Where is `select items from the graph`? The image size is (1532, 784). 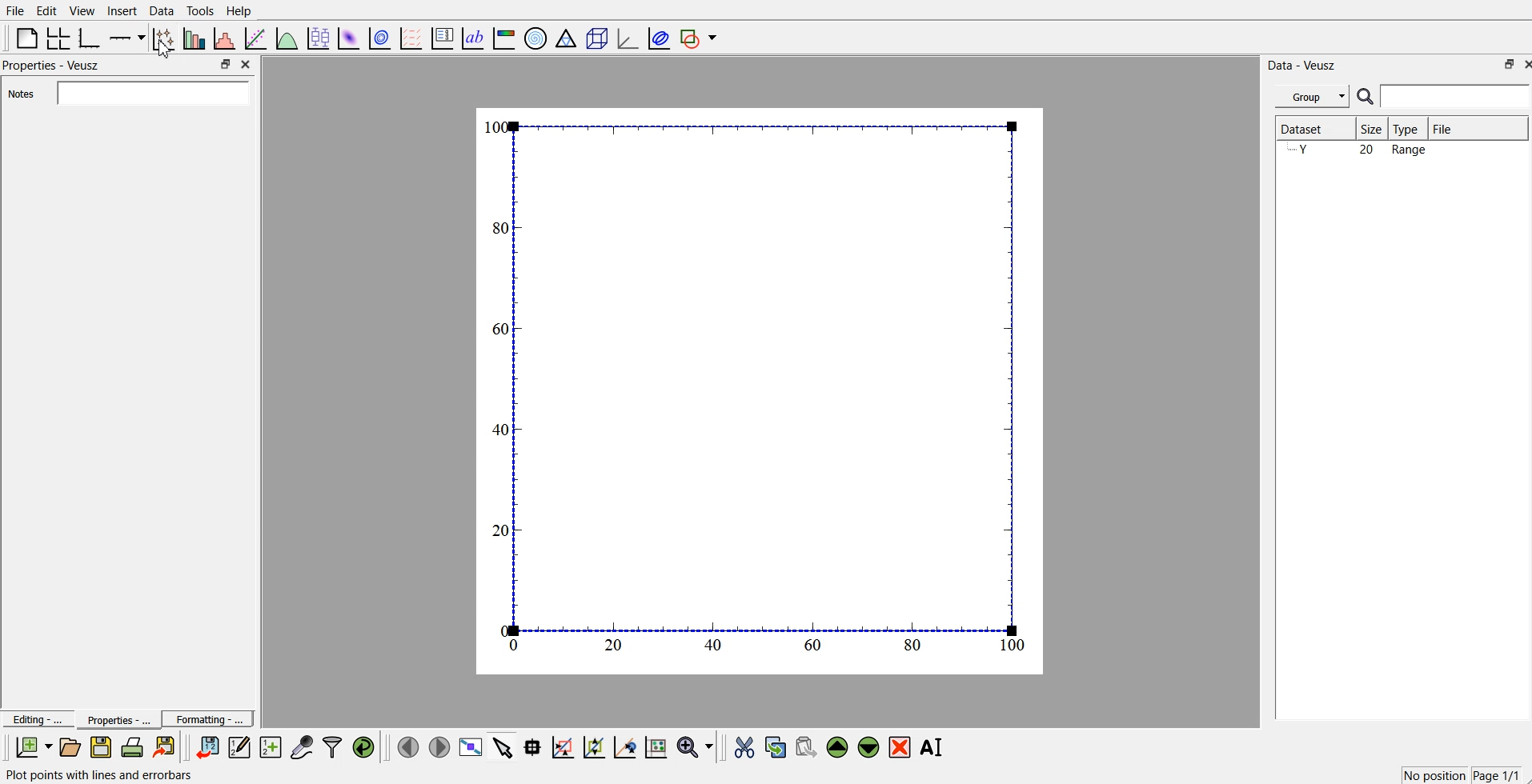 select items from the graph is located at coordinates (505, 746).